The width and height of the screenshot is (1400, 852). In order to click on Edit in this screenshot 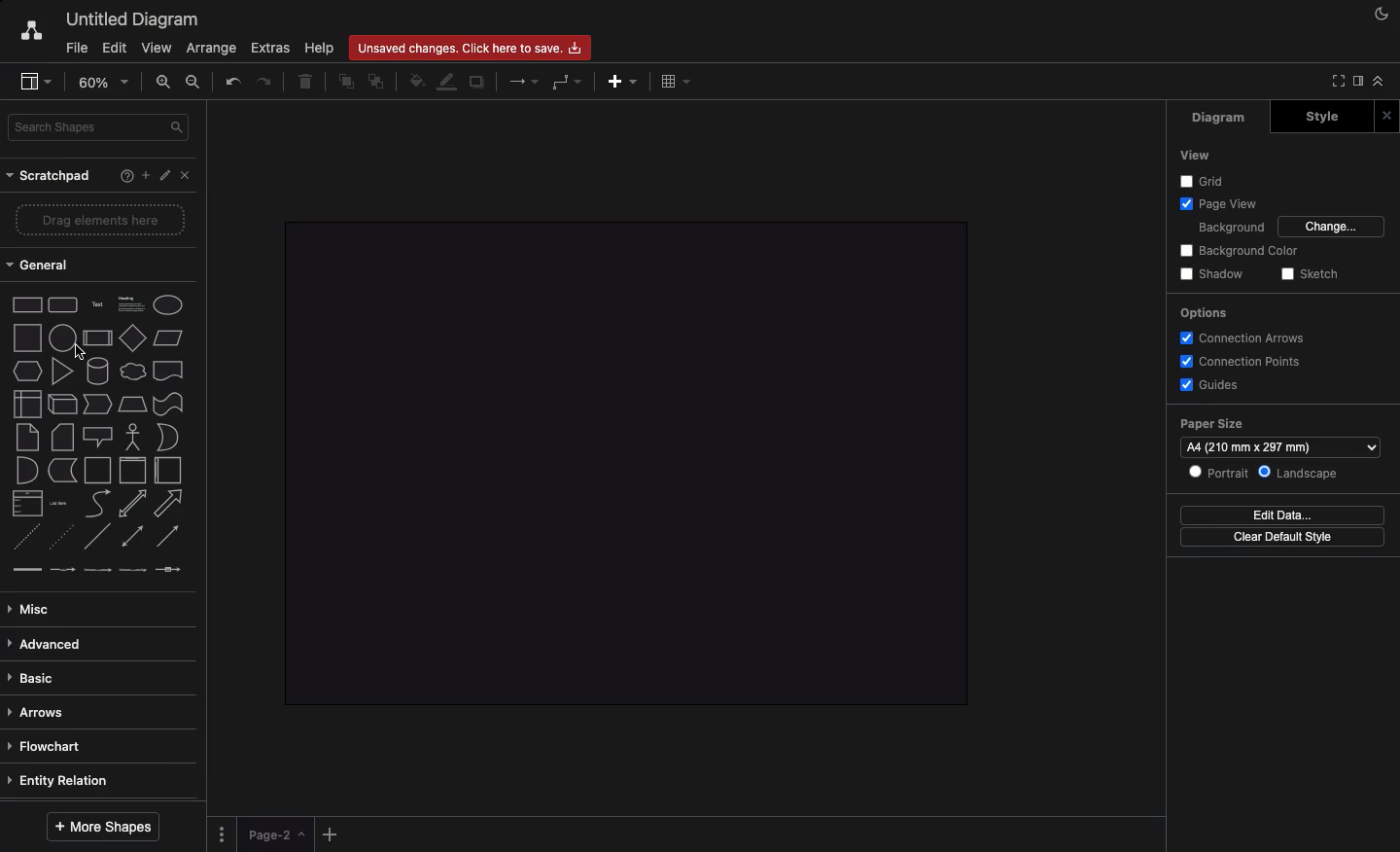, I will do `click(115, 49)`.